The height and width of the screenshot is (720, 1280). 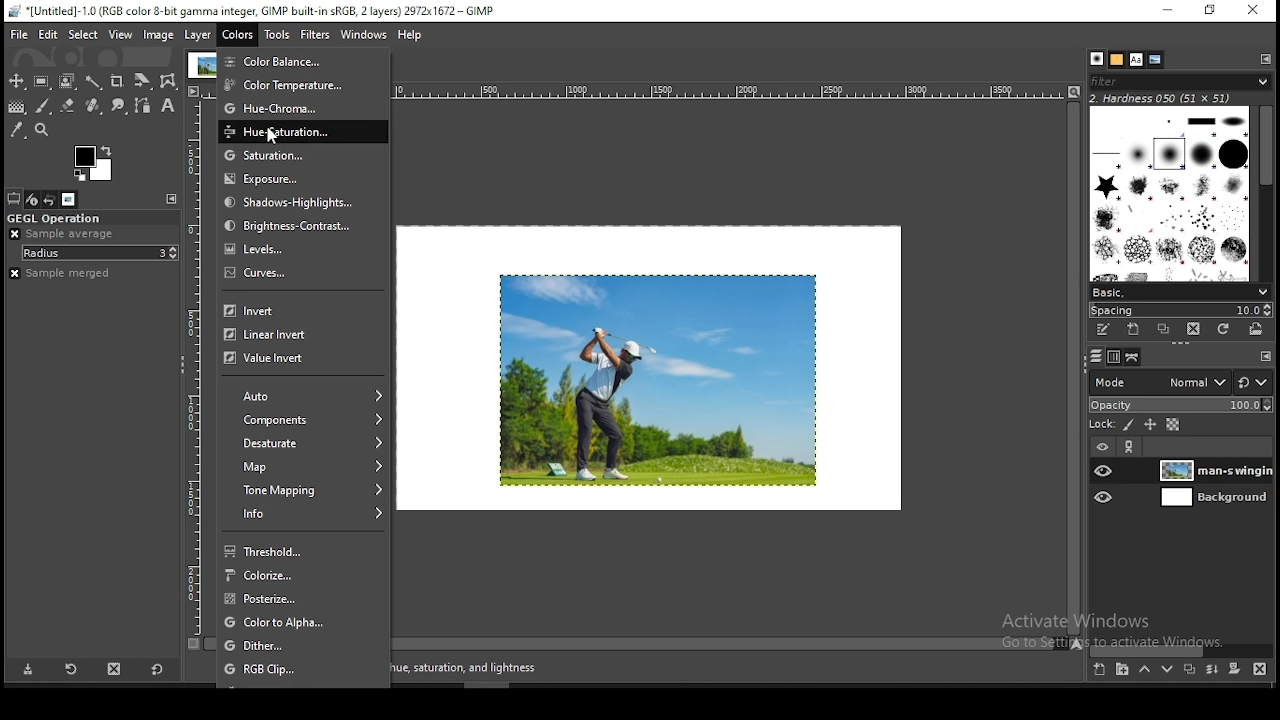 I want to click on layer visibility on/off, so click(x=1102, y=471).